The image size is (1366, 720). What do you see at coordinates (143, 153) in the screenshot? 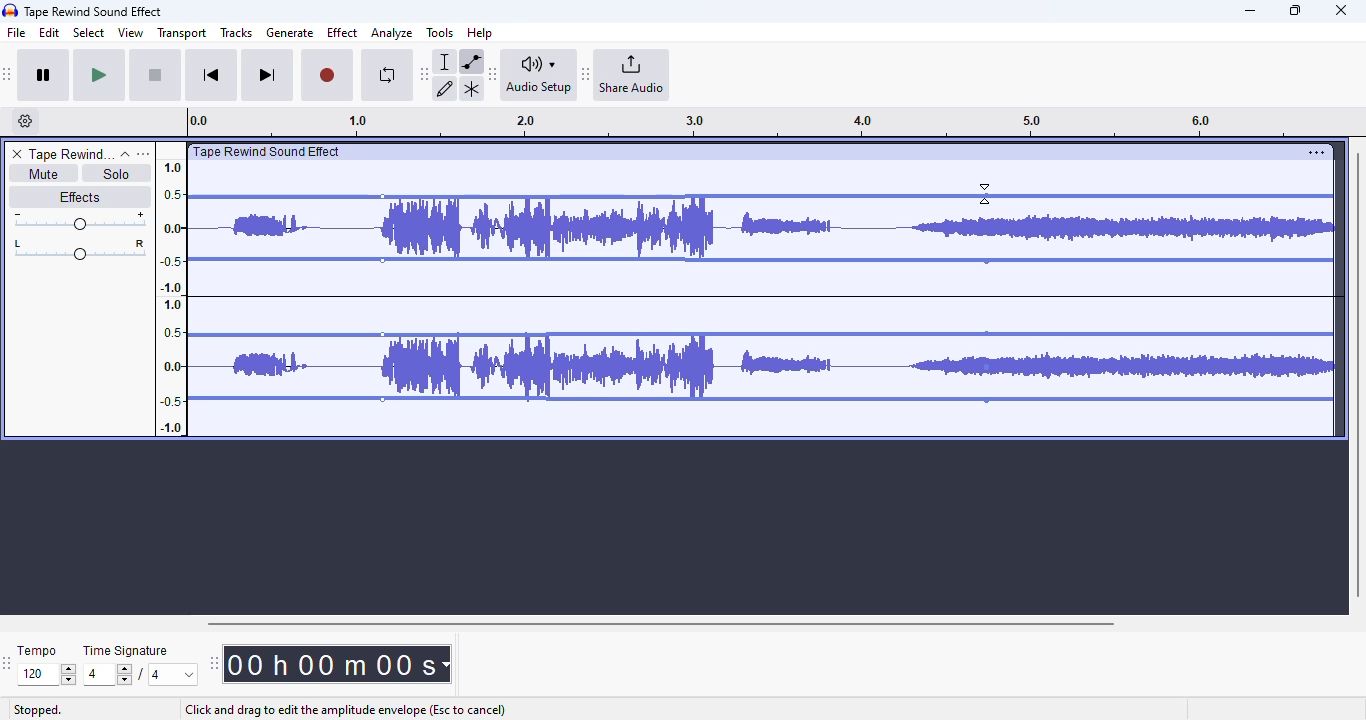
I see `open menu` at bounding box center [143, 153].